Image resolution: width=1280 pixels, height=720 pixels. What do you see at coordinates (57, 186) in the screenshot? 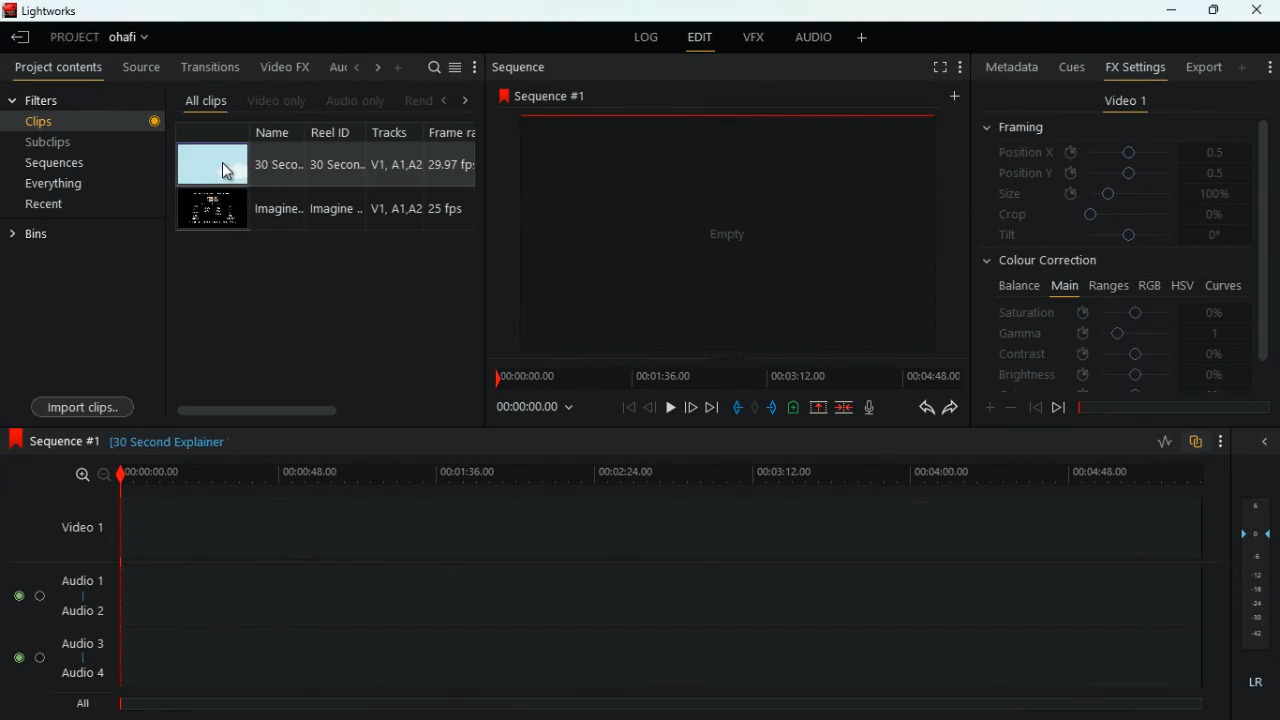
I see `everything` at bounding box center [57, 186].